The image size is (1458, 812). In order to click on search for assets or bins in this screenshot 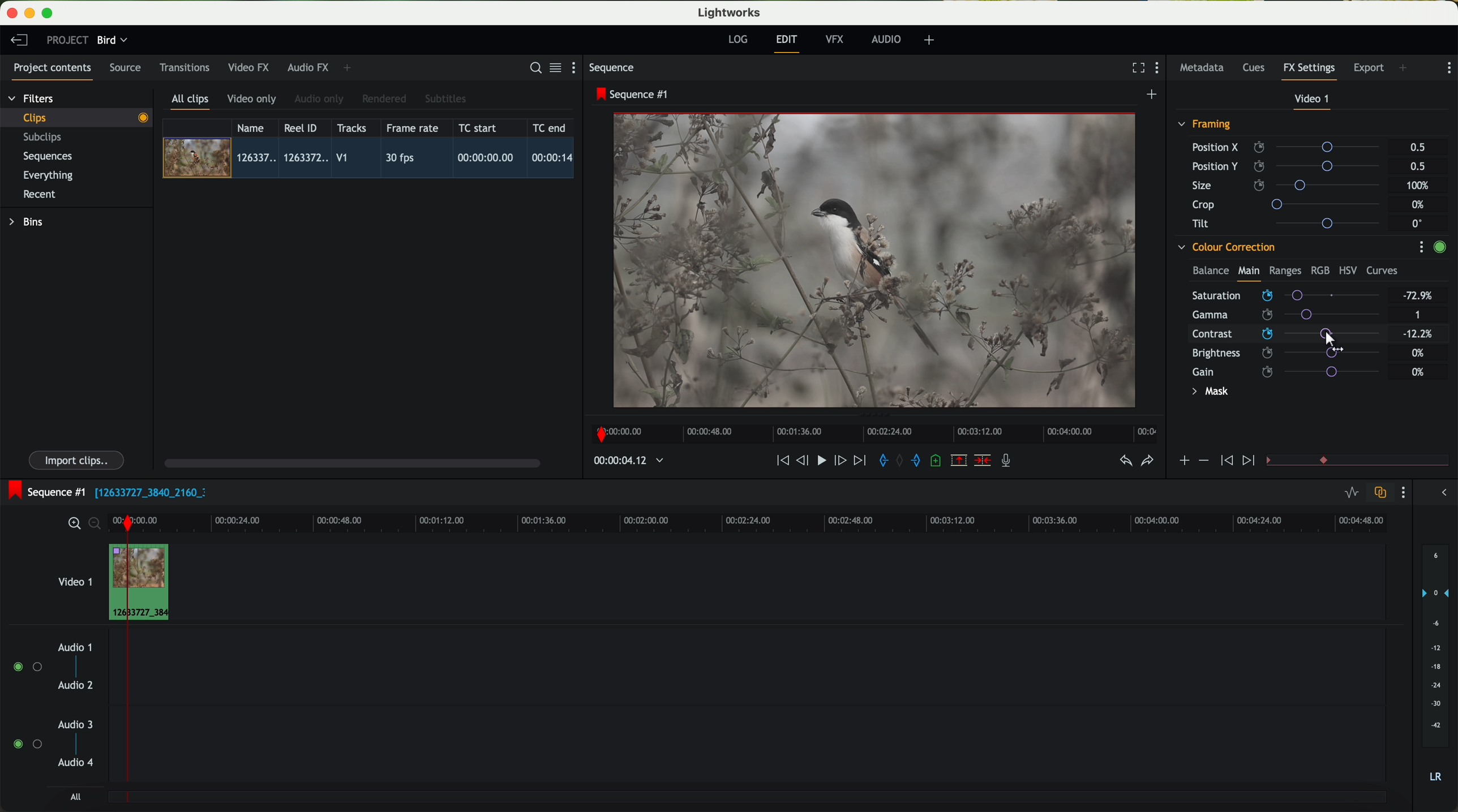, I will do `click(532, 68)`.